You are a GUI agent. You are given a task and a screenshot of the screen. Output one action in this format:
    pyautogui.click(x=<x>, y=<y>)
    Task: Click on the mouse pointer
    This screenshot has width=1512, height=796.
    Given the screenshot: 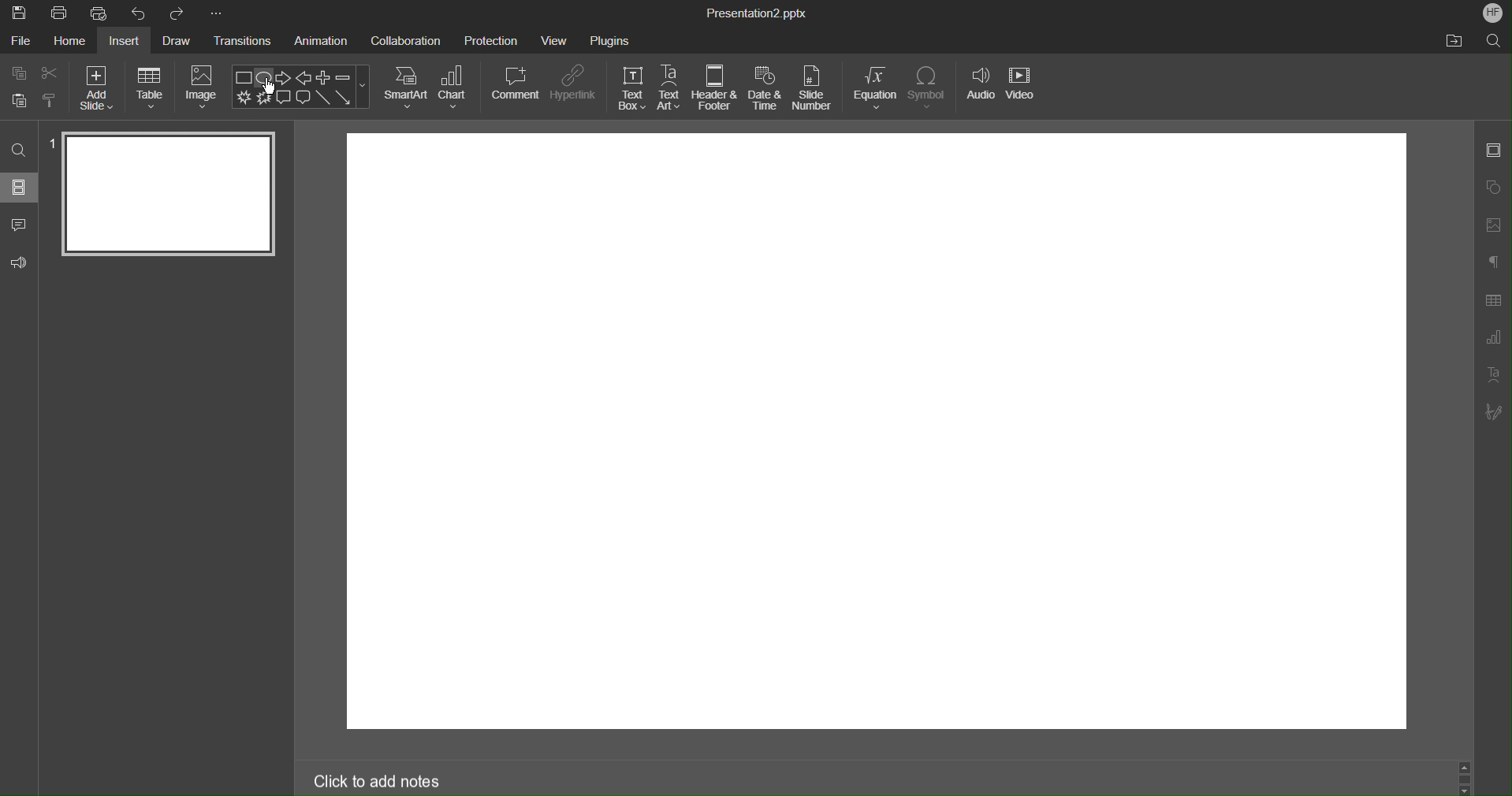 What is the action you would take?
    pyautogui.click(x=274, y=87)
    